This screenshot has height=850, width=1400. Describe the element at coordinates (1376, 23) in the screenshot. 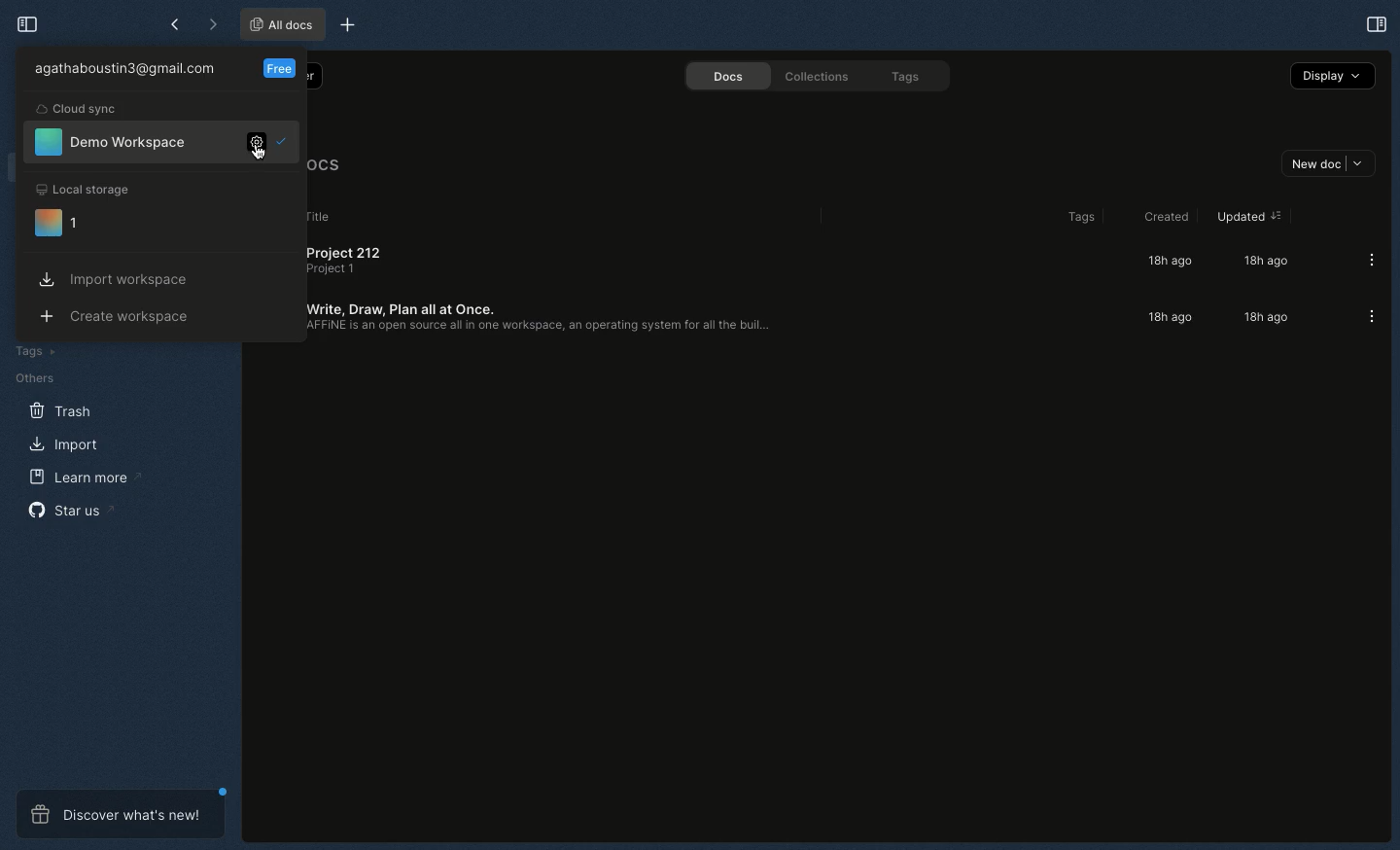

I see `Open right panel` at that location.